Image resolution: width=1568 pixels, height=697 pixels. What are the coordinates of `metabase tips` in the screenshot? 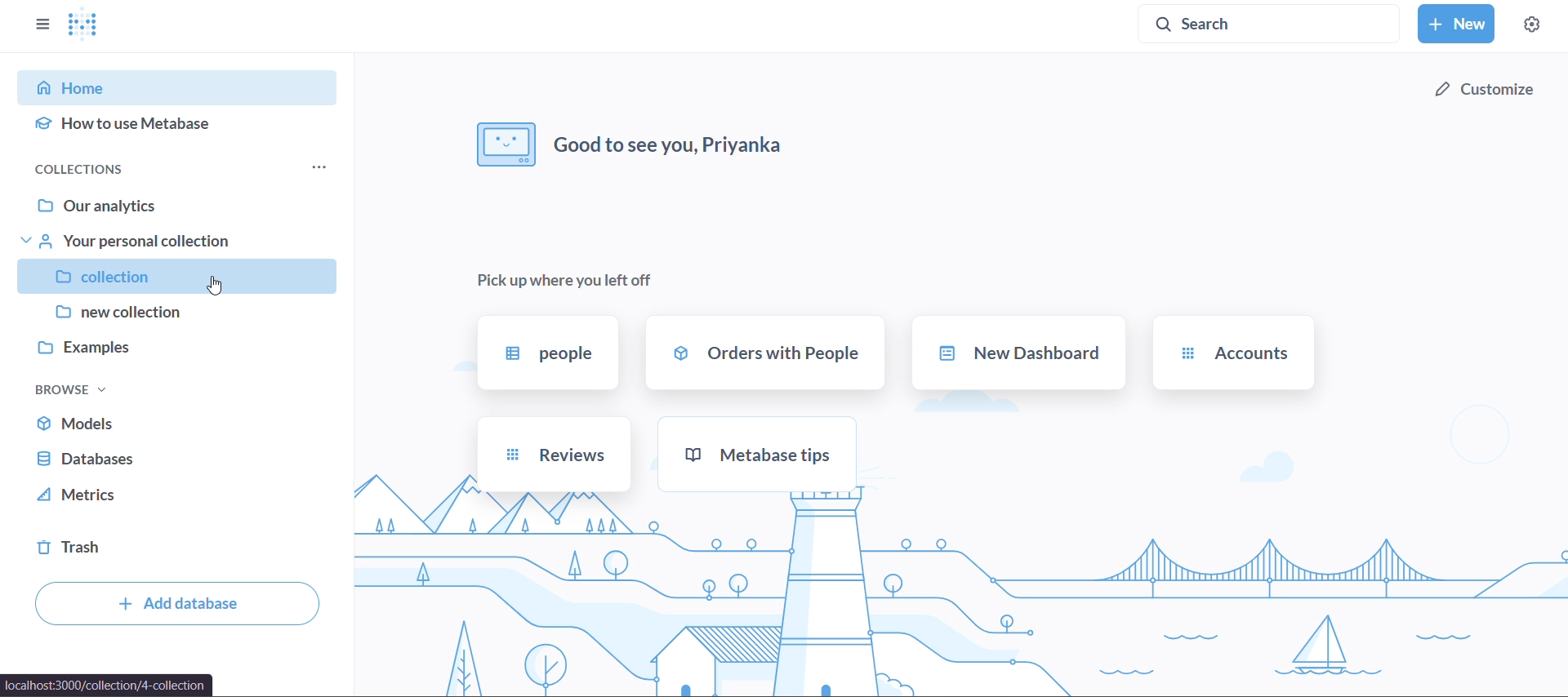 It's located at (758, 456).